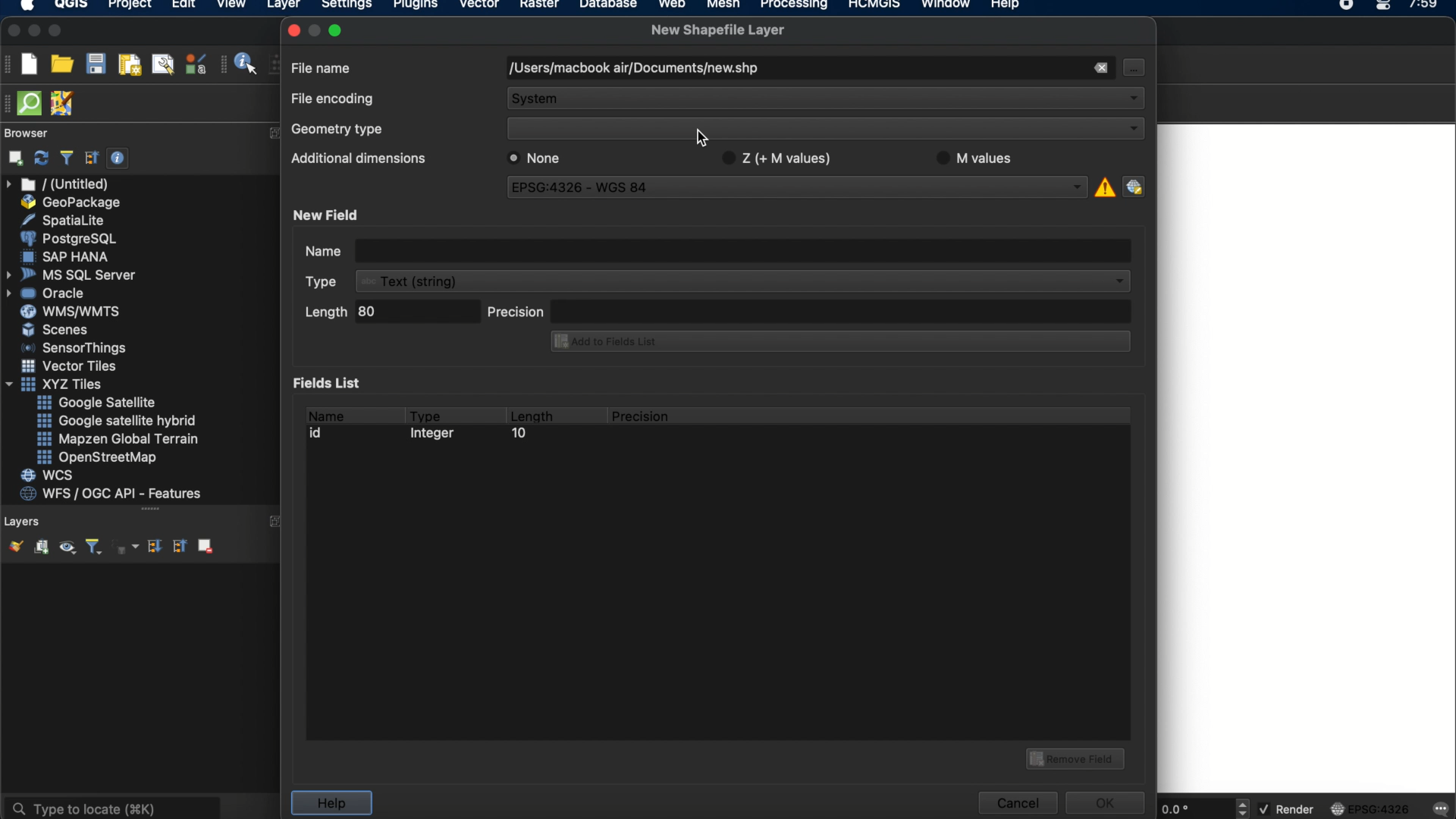 The height and width of the screenshot is (819, 1456). Describe the element at coordinates (72, 312) in the screenshot. I see `was/wmts` at that location.